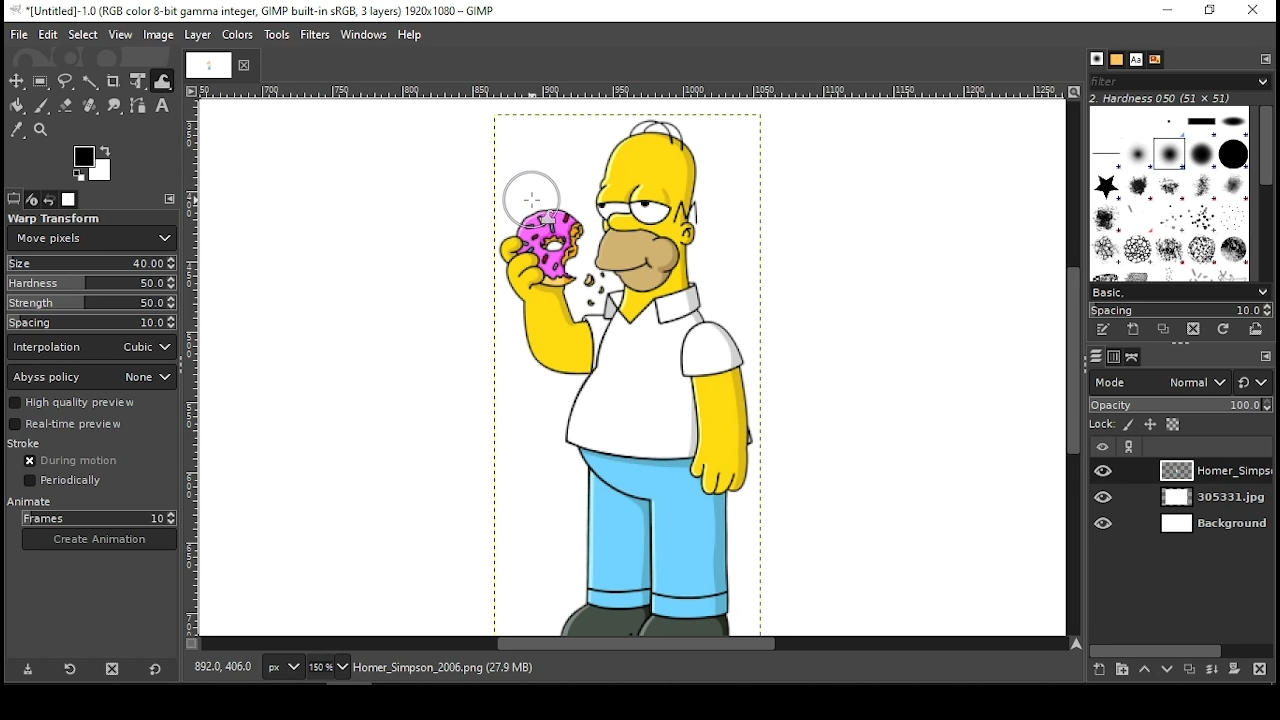 The image size is (1280, 720). What do you see at coordinates (191, 368) in the screenshot?
I see `vertical scale` at bounding box center [191, 368].